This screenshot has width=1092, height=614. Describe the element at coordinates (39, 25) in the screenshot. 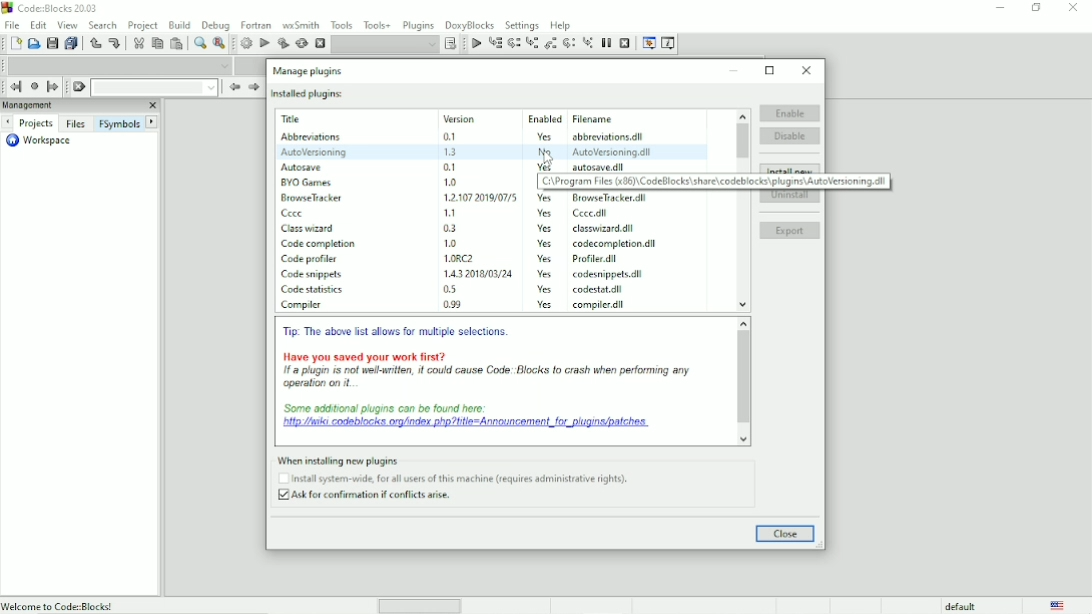

I see `Edit` at that location.